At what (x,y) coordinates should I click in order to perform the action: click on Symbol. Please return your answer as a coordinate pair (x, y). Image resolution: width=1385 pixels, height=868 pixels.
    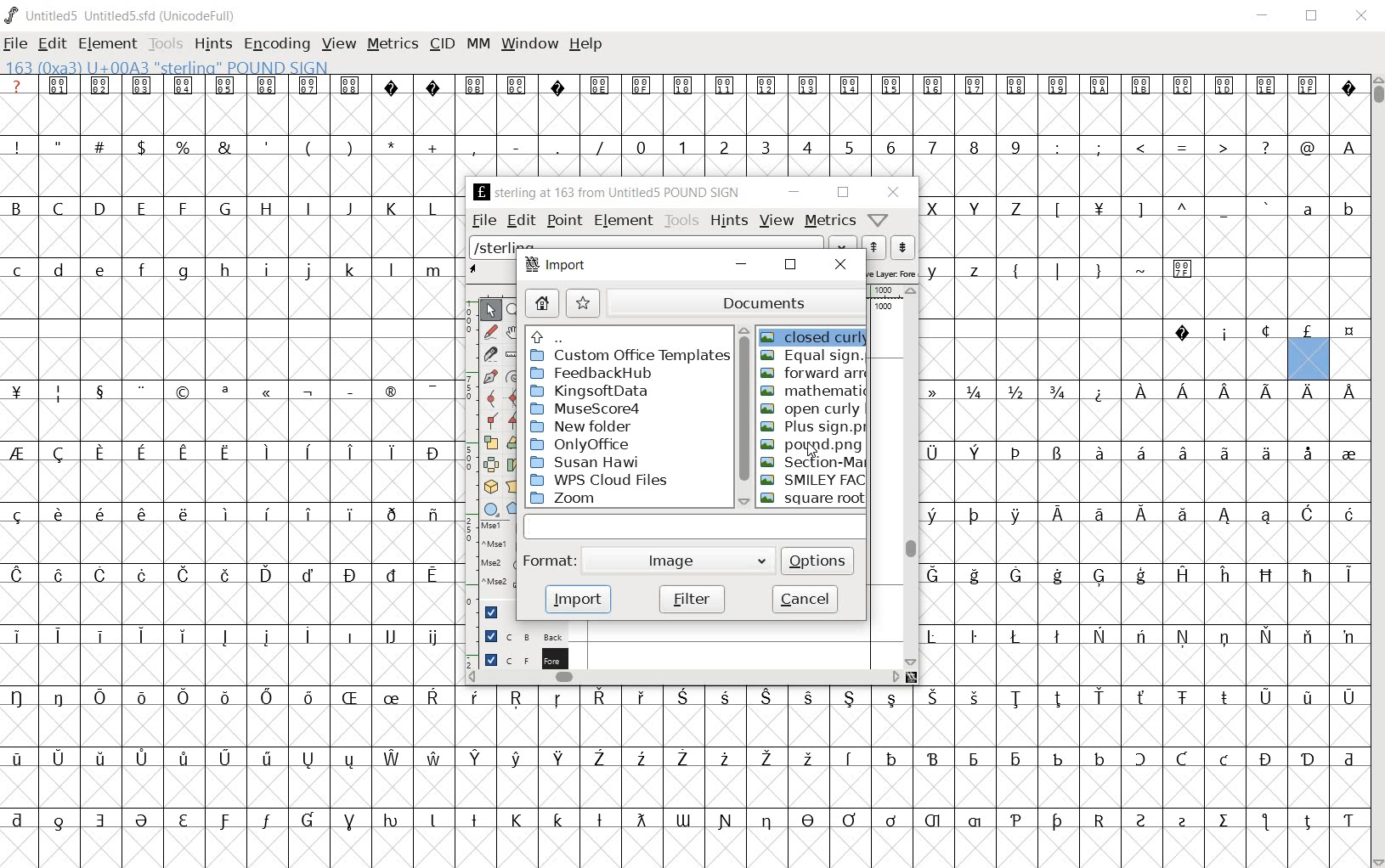
    Looking at the image, I should click on (58, 634).